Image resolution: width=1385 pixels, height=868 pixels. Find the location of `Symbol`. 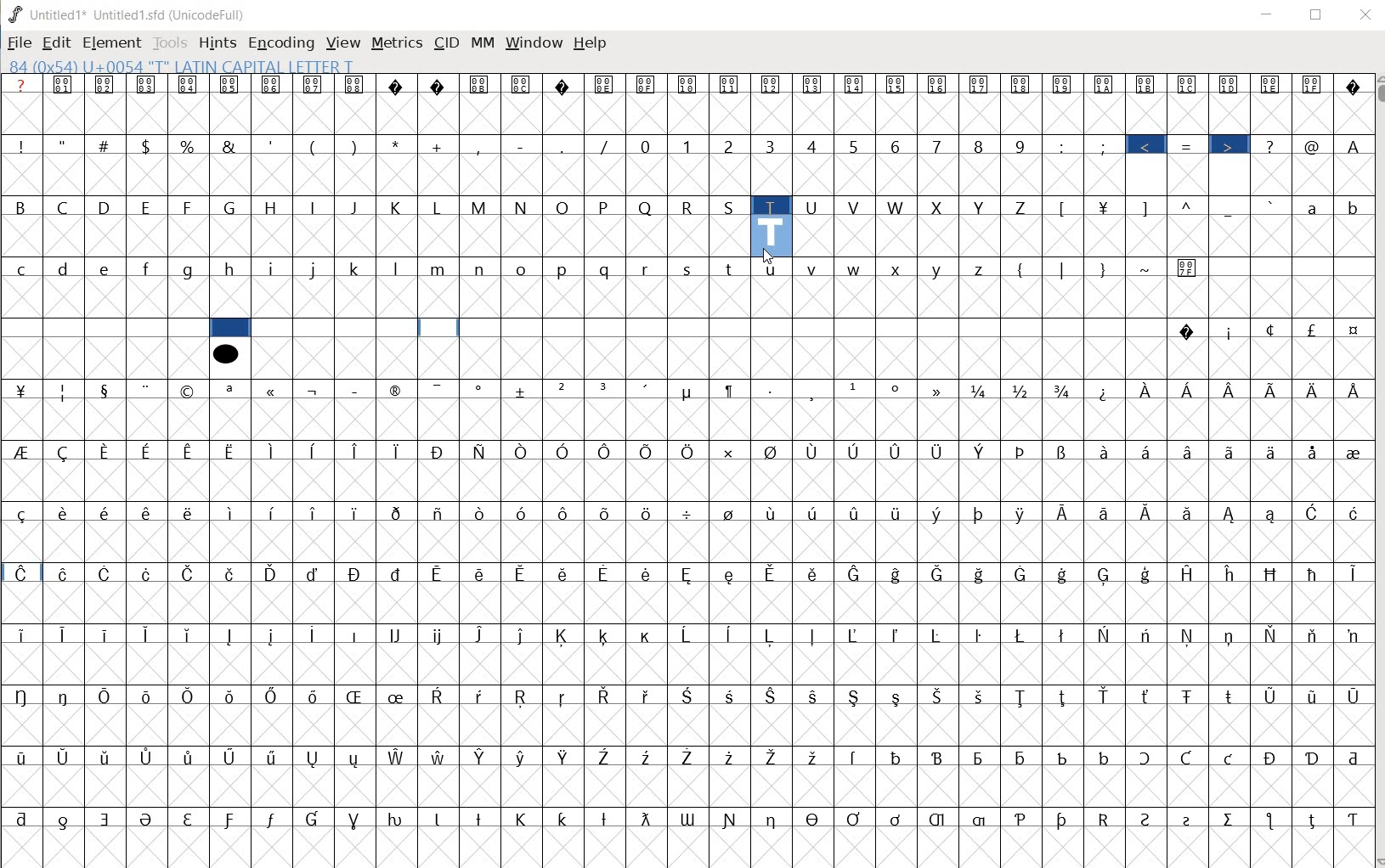

Symbol is located at coordinates (439, 696).